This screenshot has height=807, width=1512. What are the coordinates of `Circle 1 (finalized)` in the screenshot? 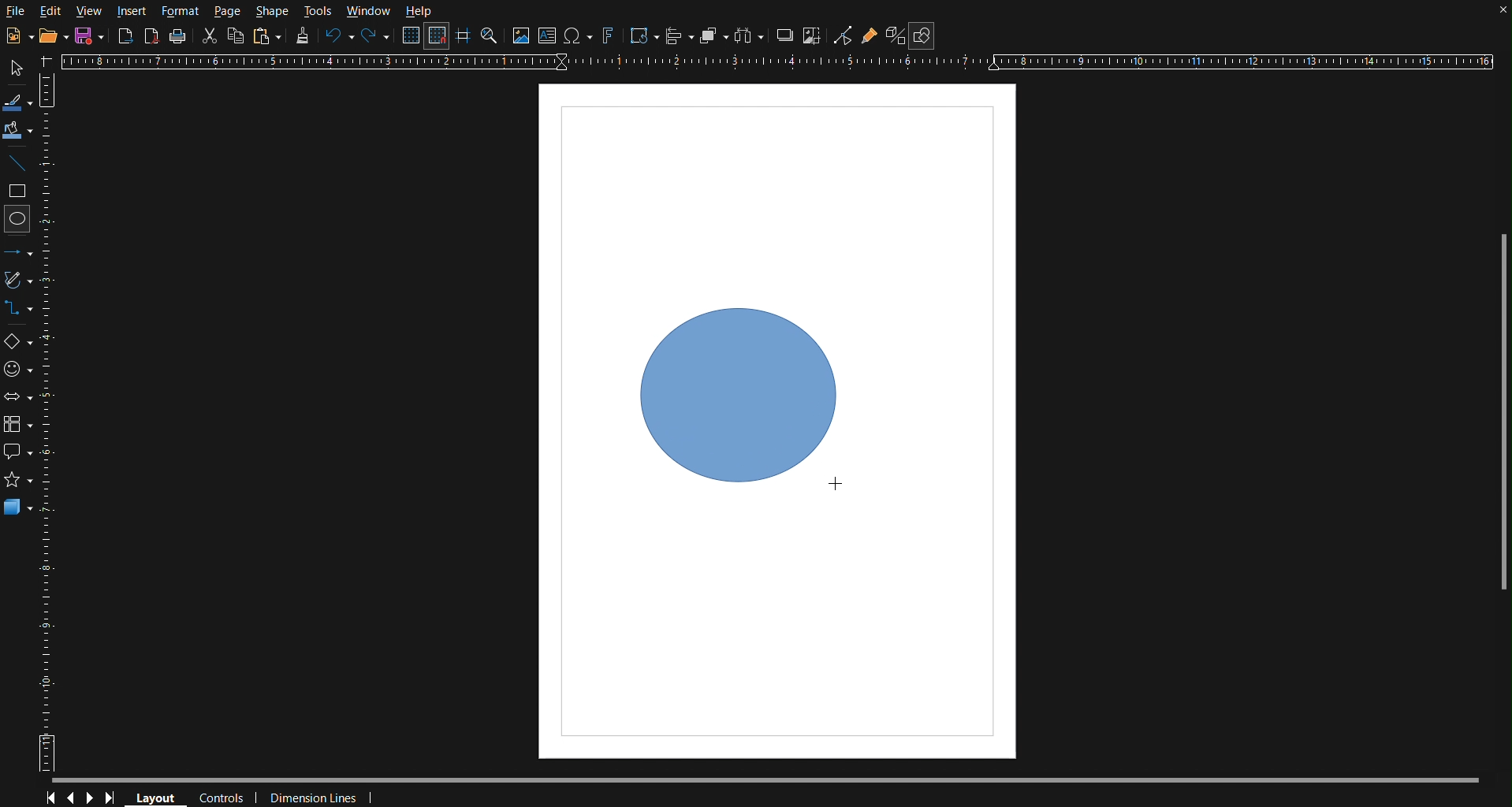 It's located at (733, 394).